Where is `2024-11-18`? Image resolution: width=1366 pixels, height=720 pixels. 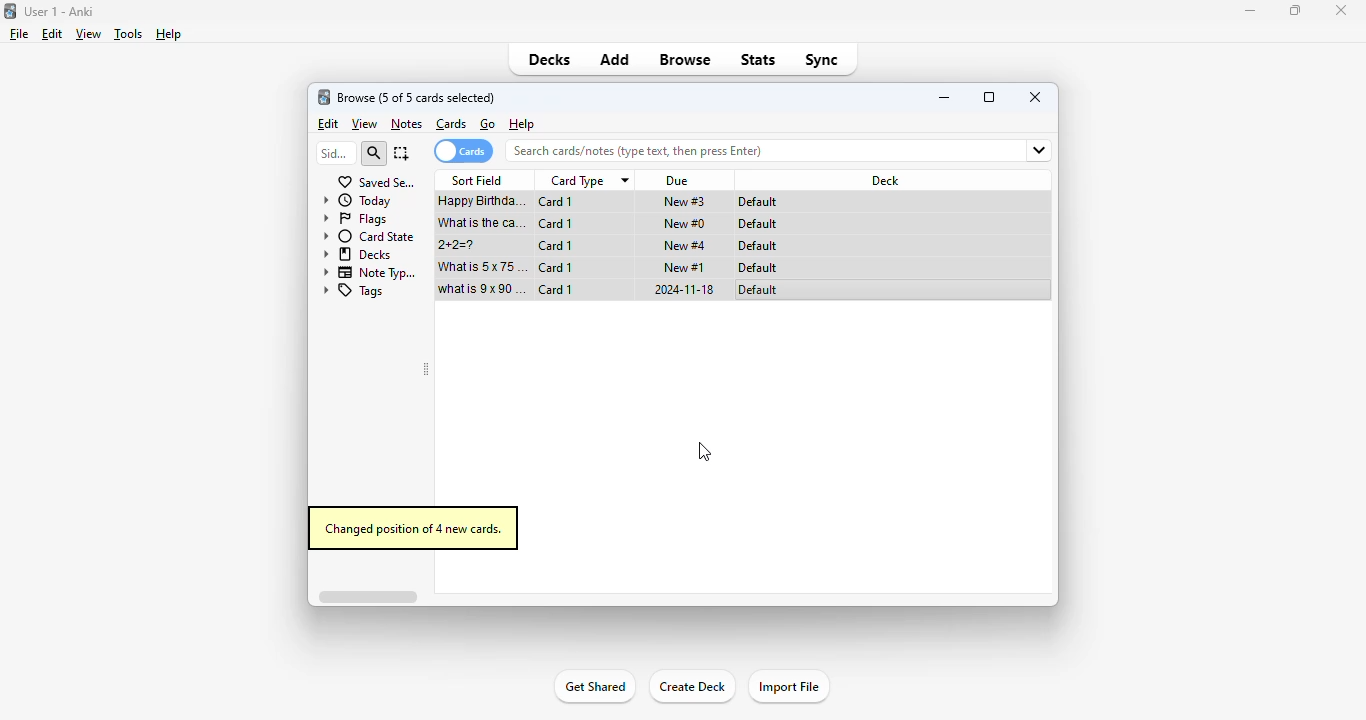 2024-11-18 is located at coordinates (682, 289).